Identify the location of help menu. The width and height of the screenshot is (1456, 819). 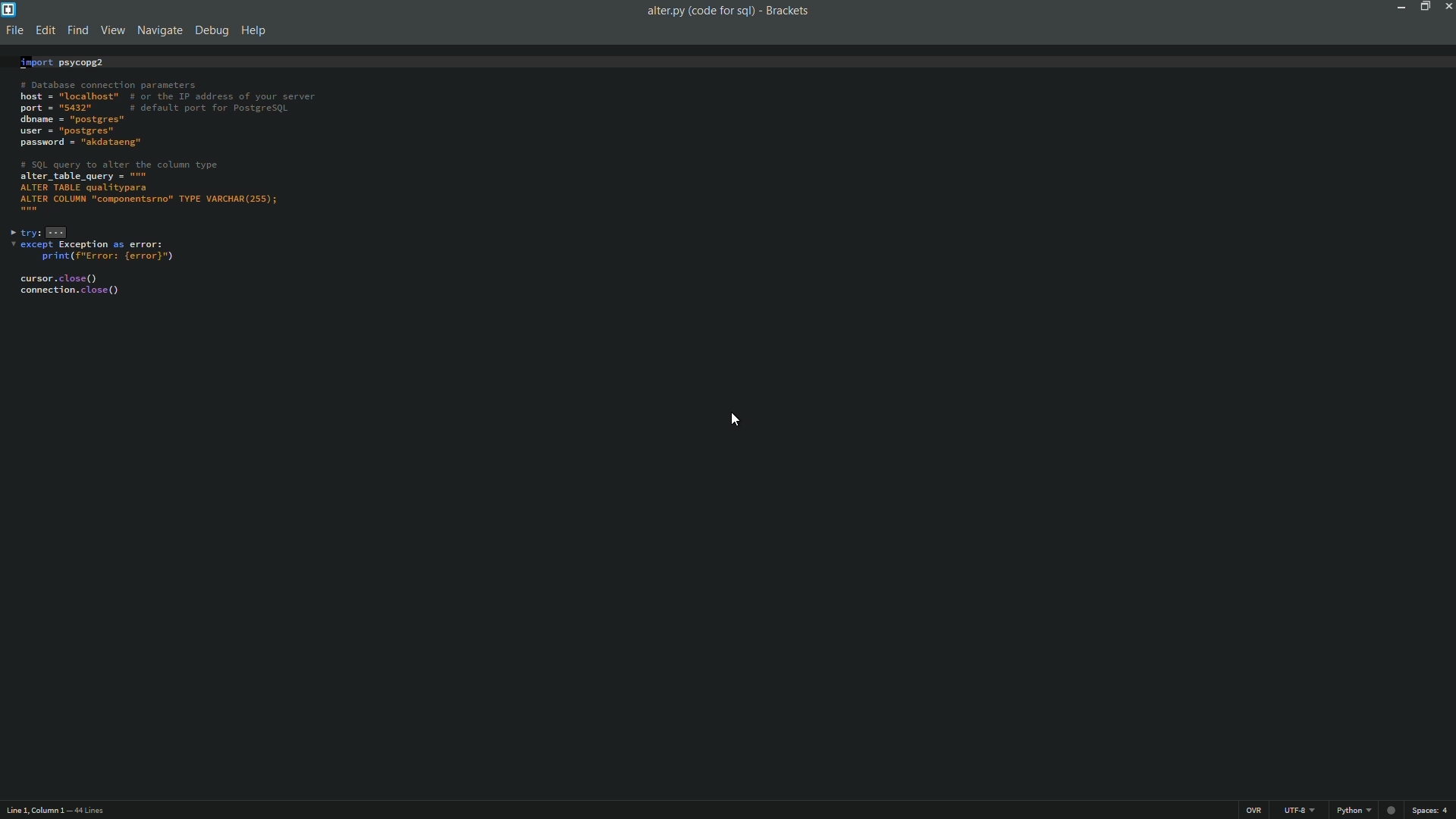
(254, 32).